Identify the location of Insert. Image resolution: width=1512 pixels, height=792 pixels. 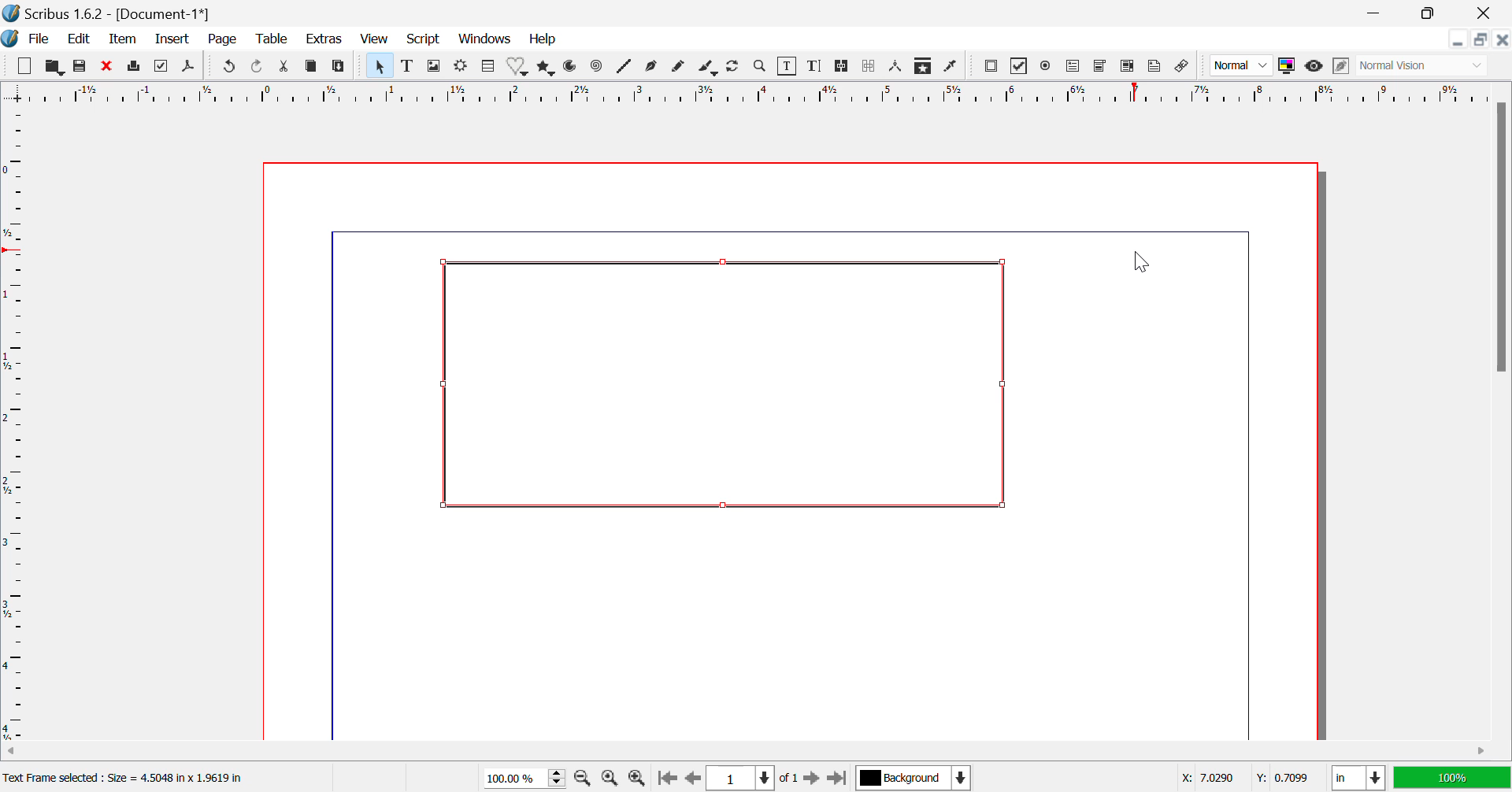
(174, 39).